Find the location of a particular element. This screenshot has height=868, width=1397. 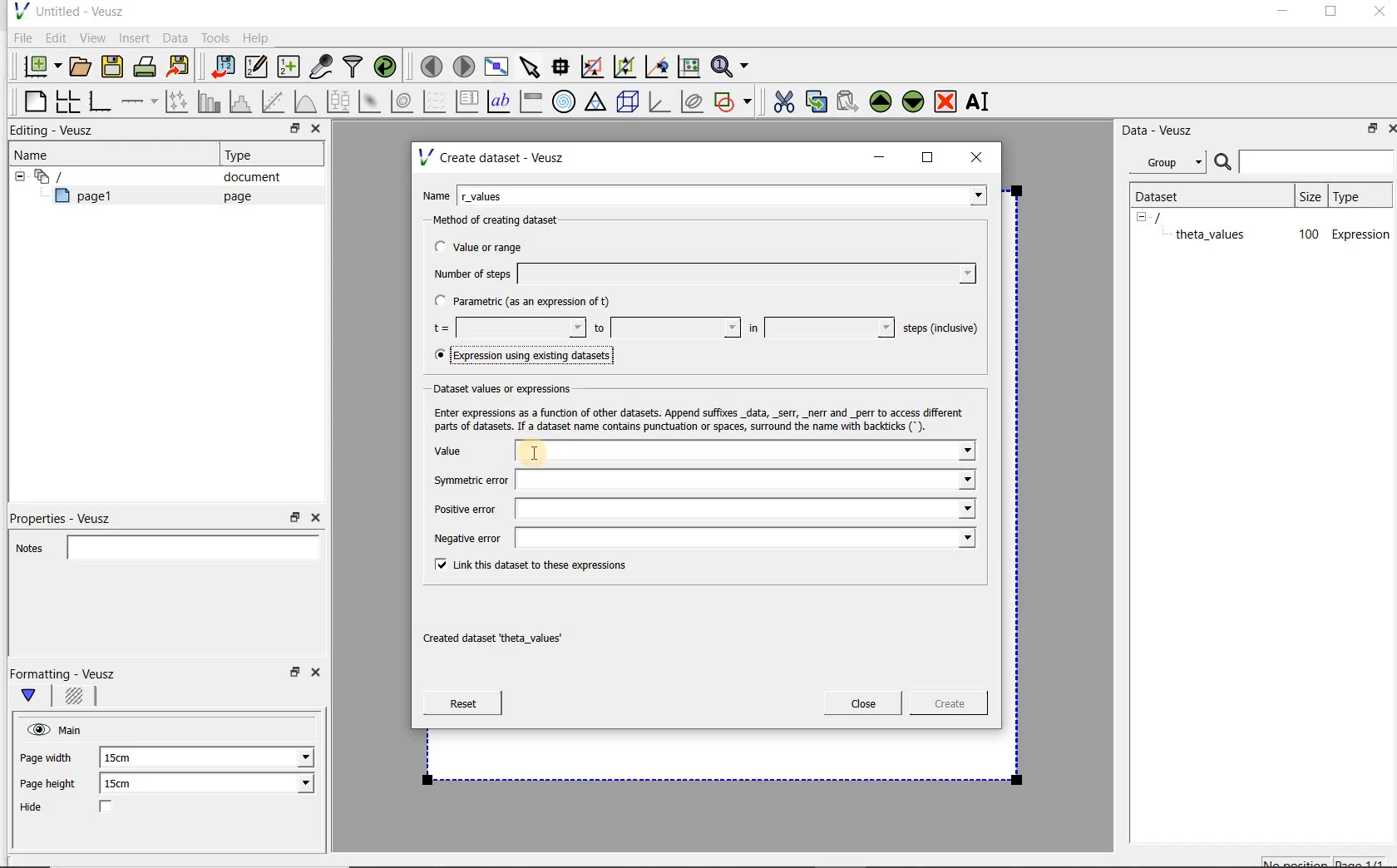

document is located at coordinates (245, 177).